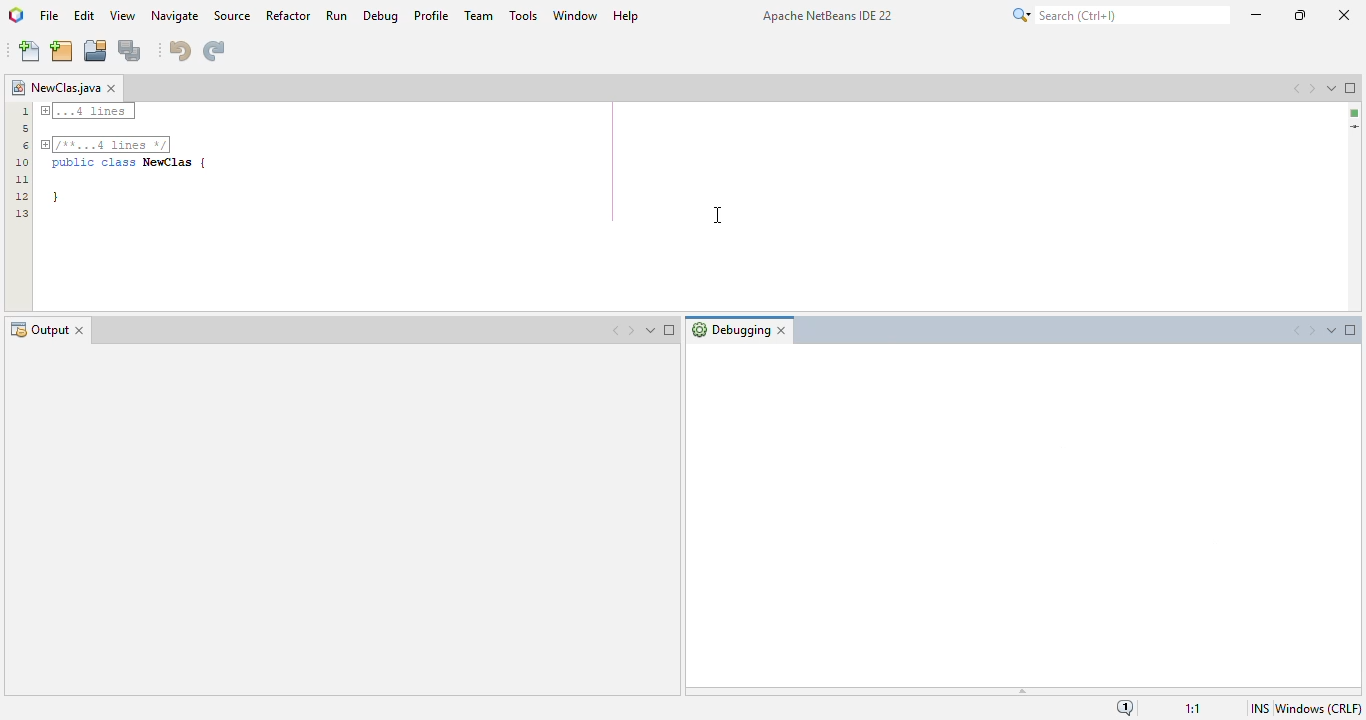 This screenshot has height=720, width=1366. Describe the element at coordinates (123, 15) in the screenshot. I see `view` at that location.